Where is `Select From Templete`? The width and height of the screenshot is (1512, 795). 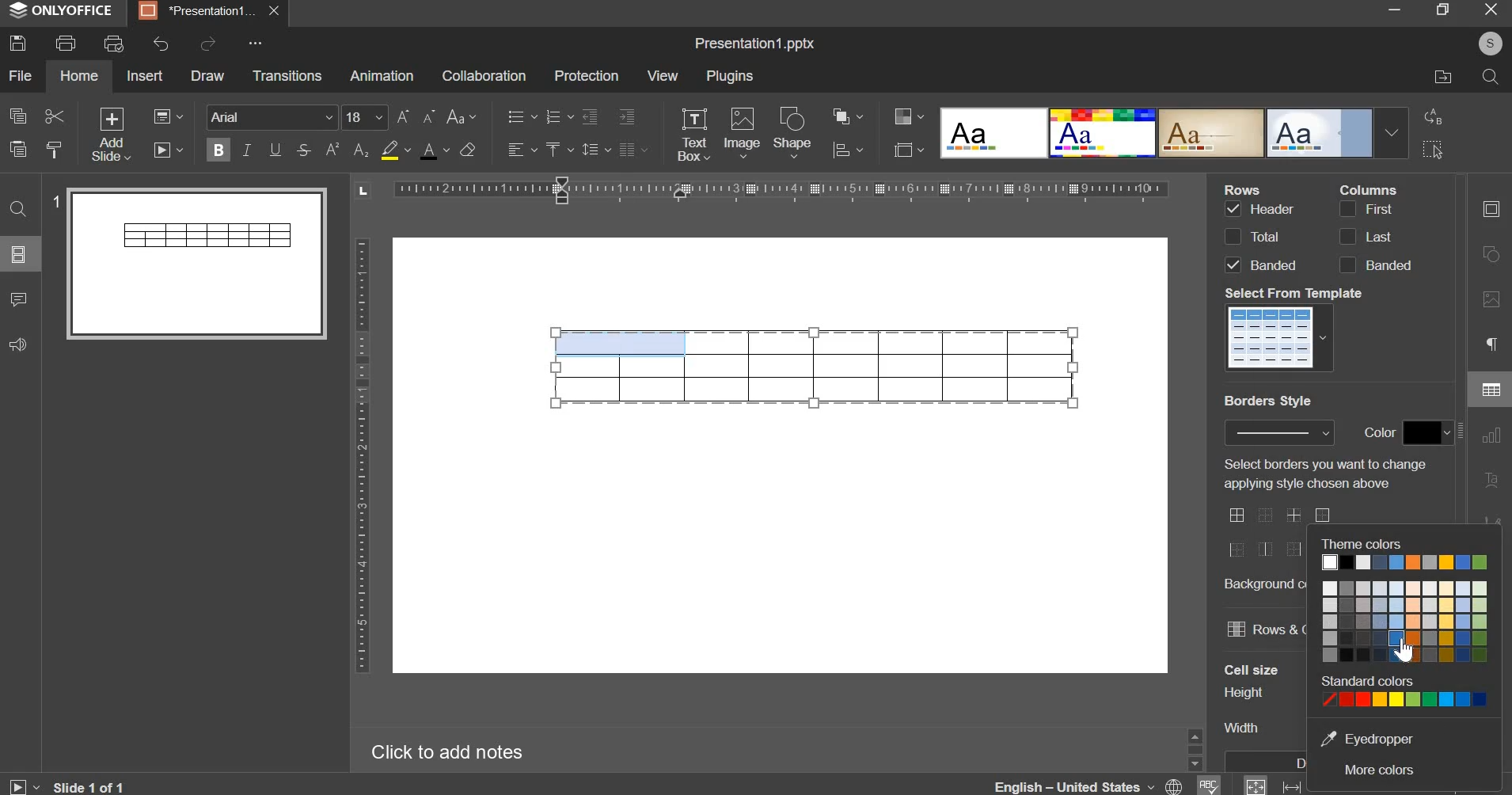 Select From Templete is located at coordinates (1296, 293).